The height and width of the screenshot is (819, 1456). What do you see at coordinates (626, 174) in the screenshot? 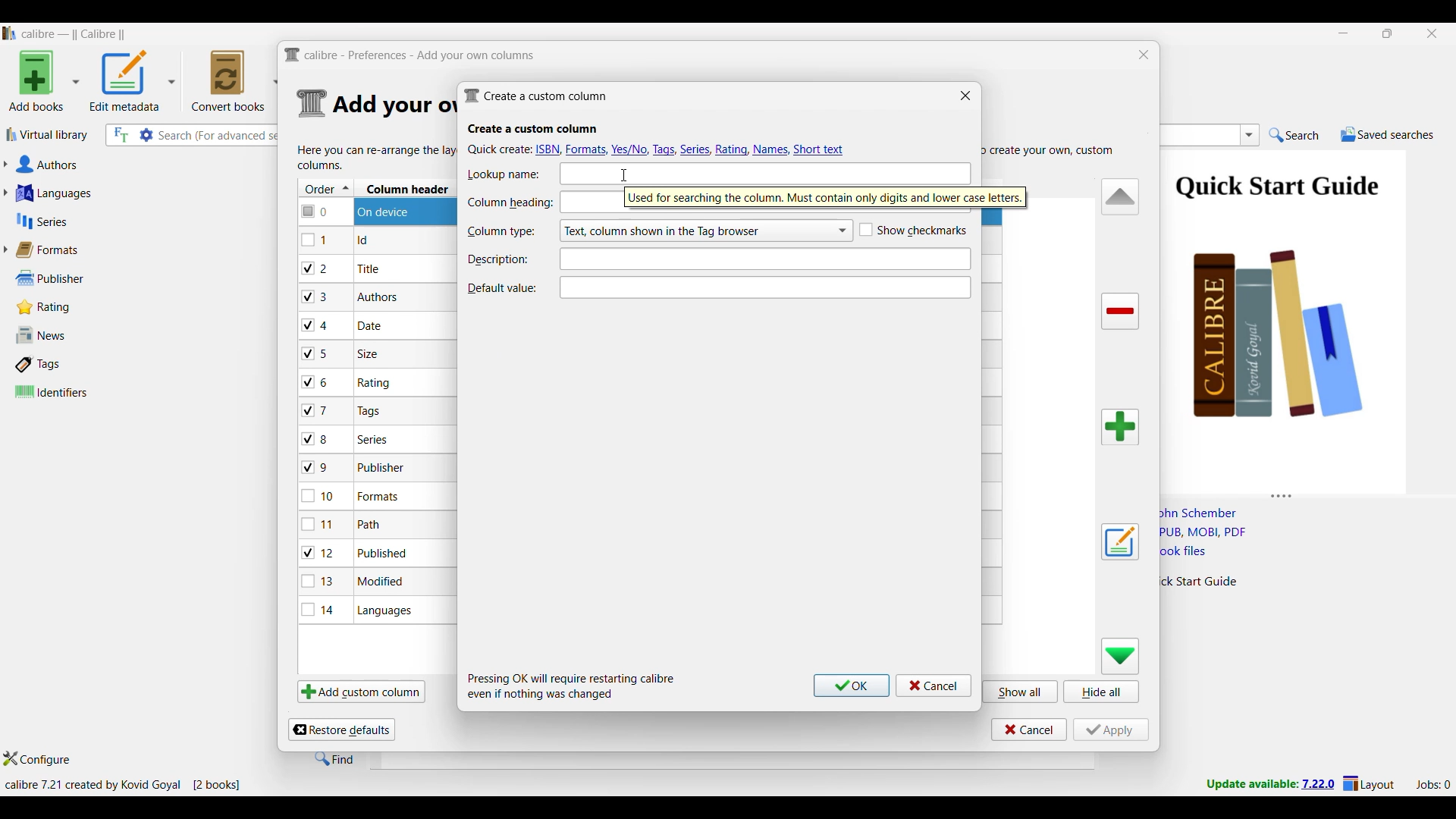
I see `cursor` at bounding box center [626, 174].